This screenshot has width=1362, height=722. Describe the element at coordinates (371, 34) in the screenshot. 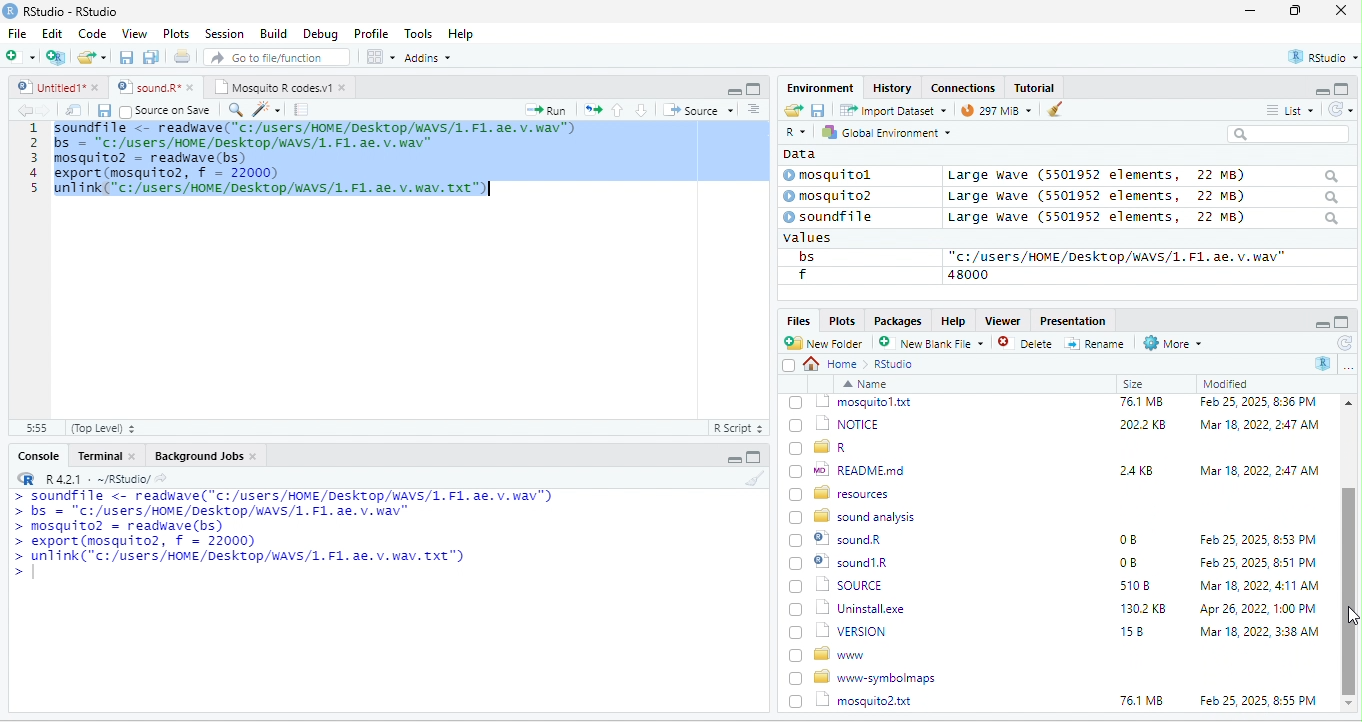

I see `Profile` at that location.